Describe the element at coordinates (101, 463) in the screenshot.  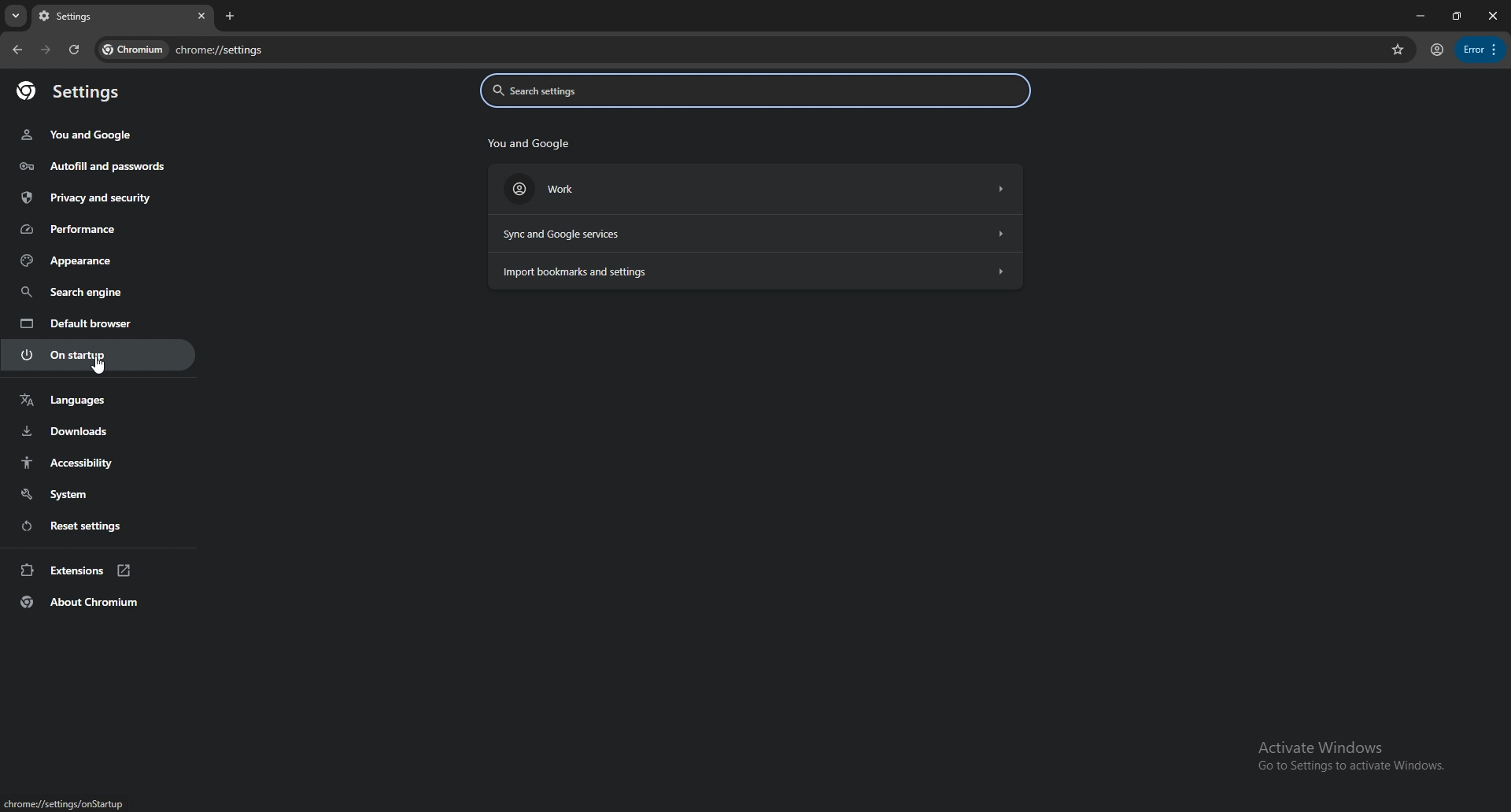
I see `accessibility` at that location.